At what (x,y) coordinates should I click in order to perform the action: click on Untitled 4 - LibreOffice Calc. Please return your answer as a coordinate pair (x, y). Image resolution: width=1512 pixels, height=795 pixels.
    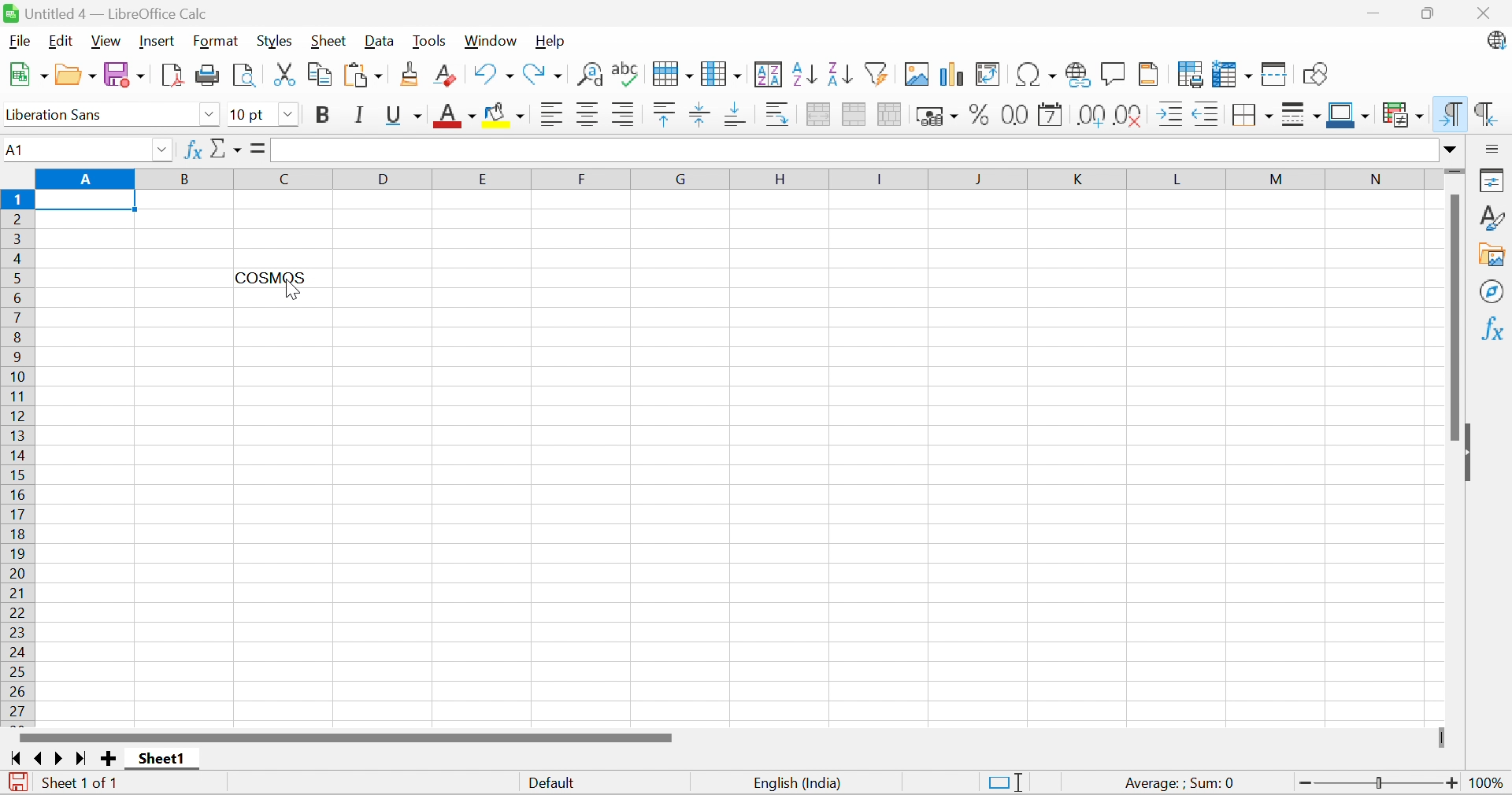
    Looking at the image, I should click on (115, 13).